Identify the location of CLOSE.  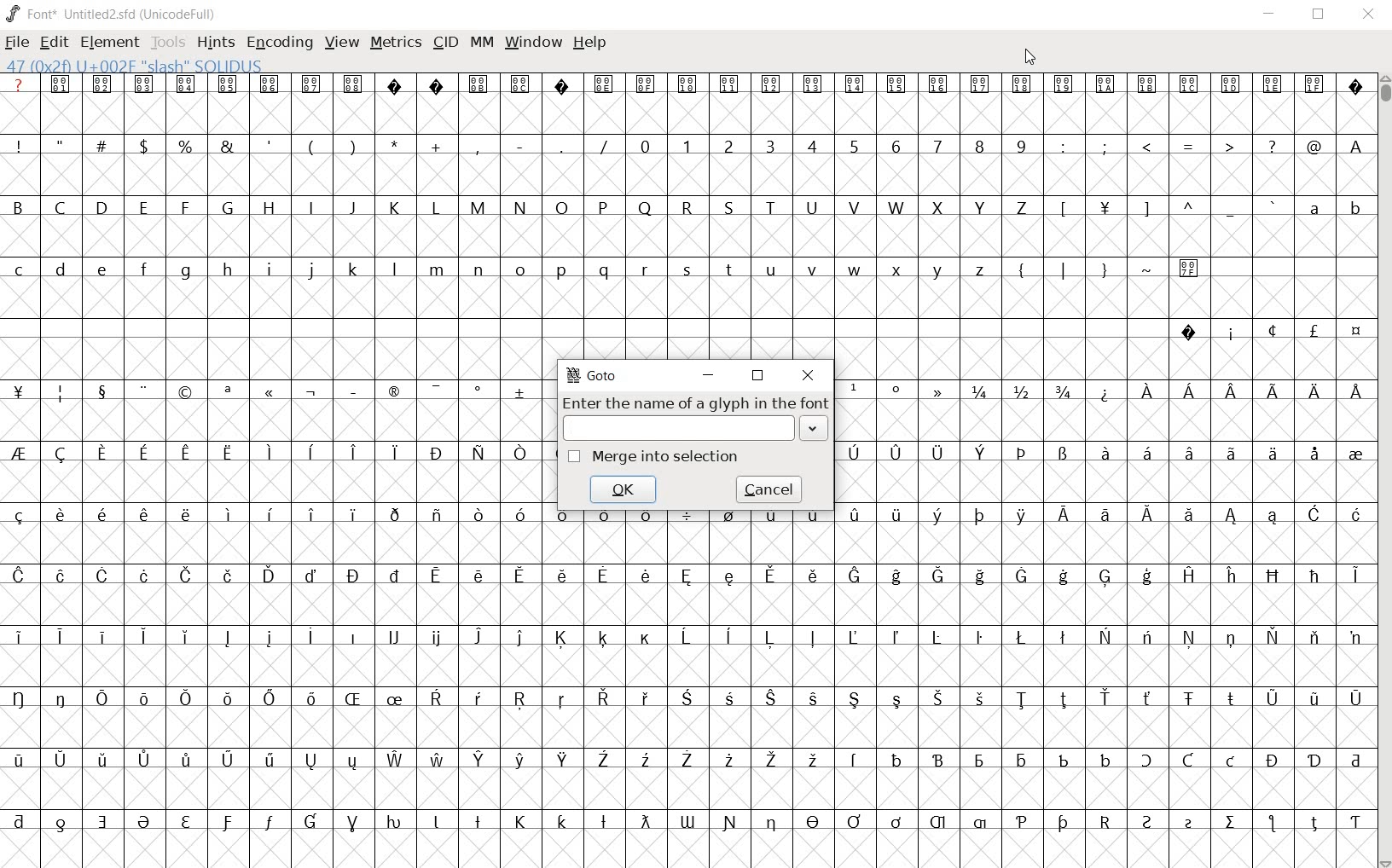
(1367, 14).